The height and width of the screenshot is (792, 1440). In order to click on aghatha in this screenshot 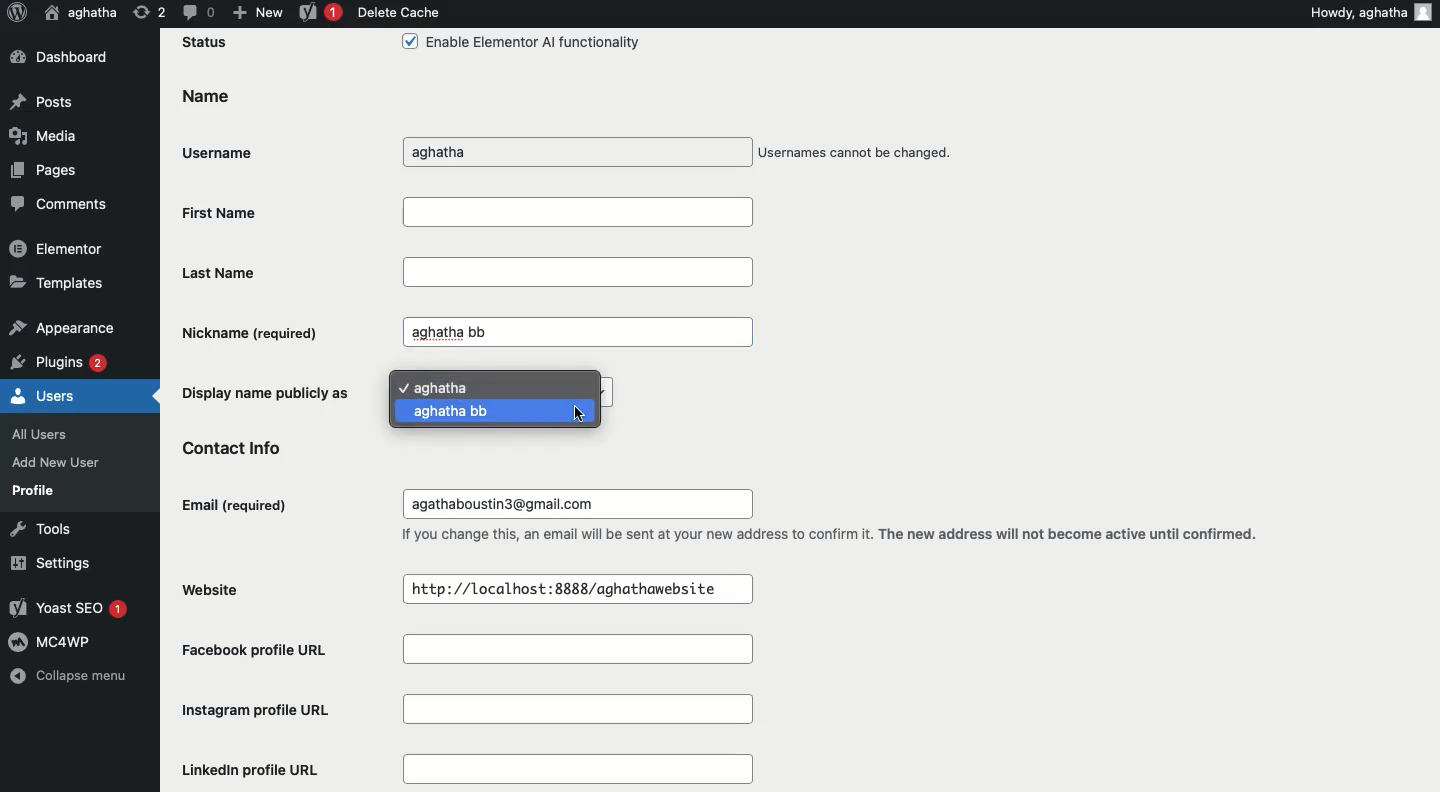, I will do `click(472, 152)`.